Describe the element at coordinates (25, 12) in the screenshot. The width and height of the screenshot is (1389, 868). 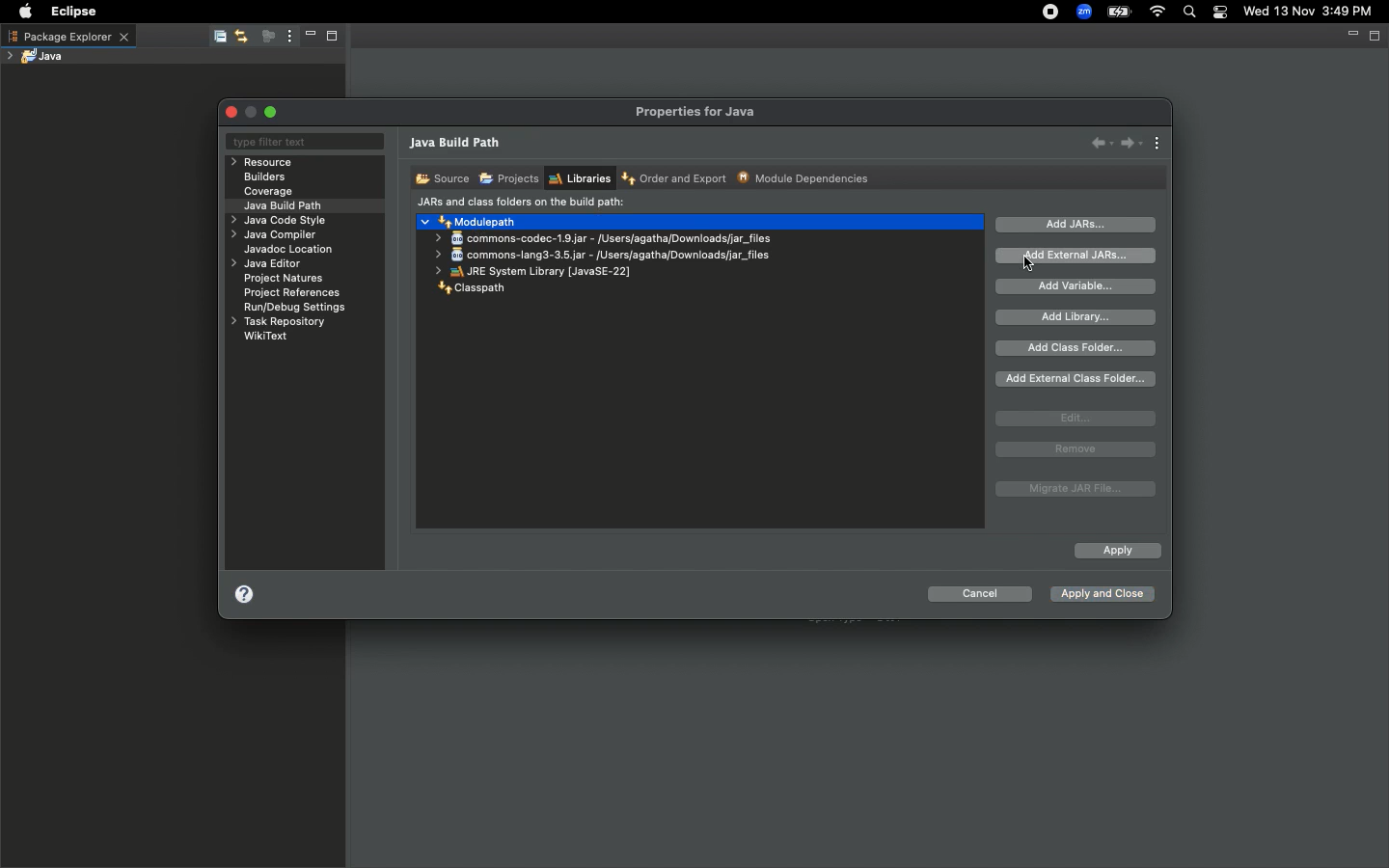
I see `Apple logo` at that location.